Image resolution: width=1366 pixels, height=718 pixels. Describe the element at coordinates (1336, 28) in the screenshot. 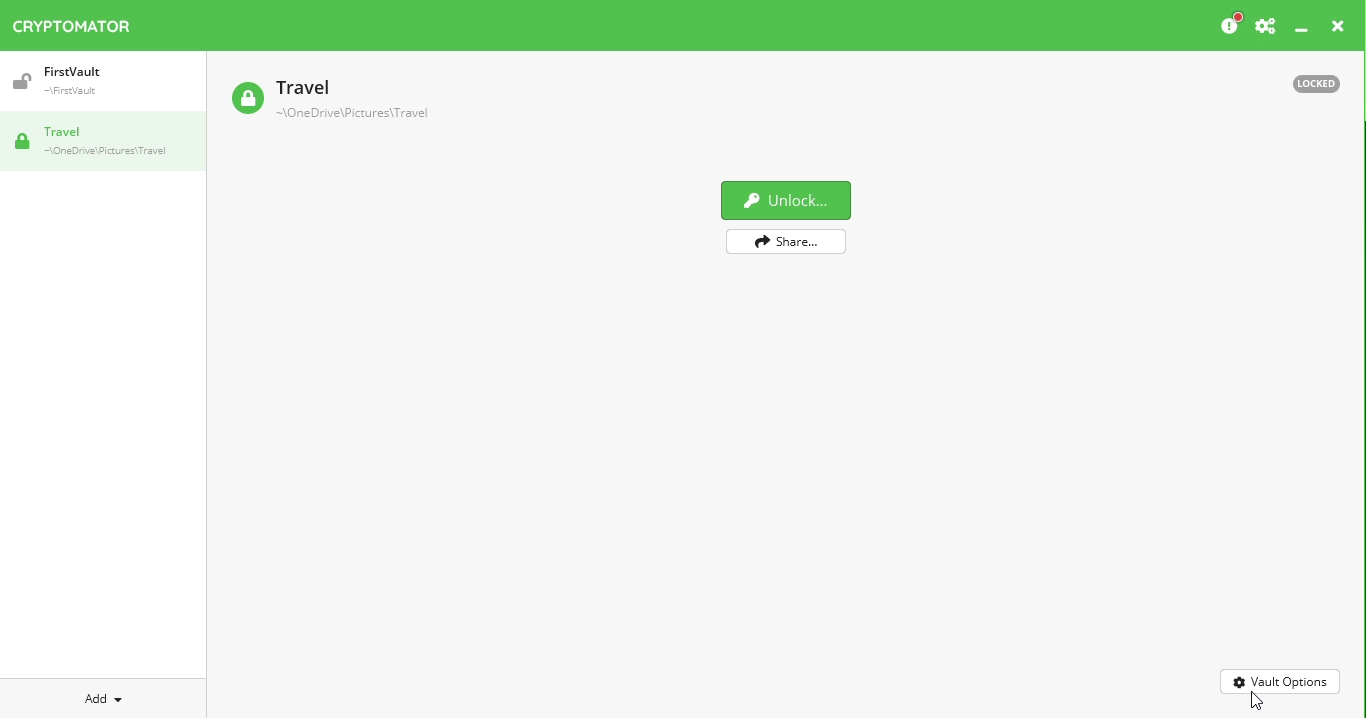

I see `Close` at that location.